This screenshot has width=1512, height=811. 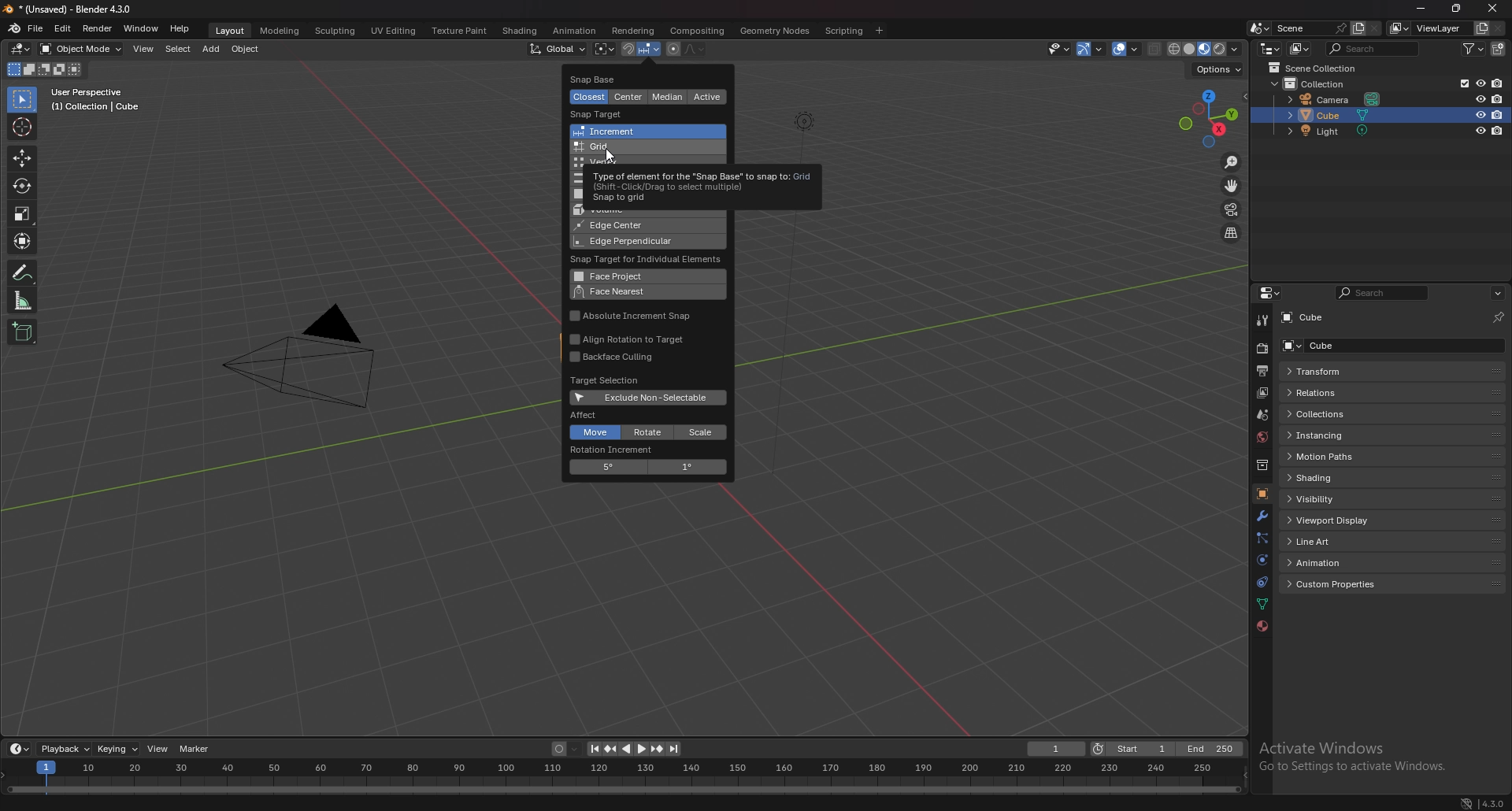 What do you see at coordinates (1335, 520) in the screenshot?
I see `viewport display` at bounding box center [1335, 520].